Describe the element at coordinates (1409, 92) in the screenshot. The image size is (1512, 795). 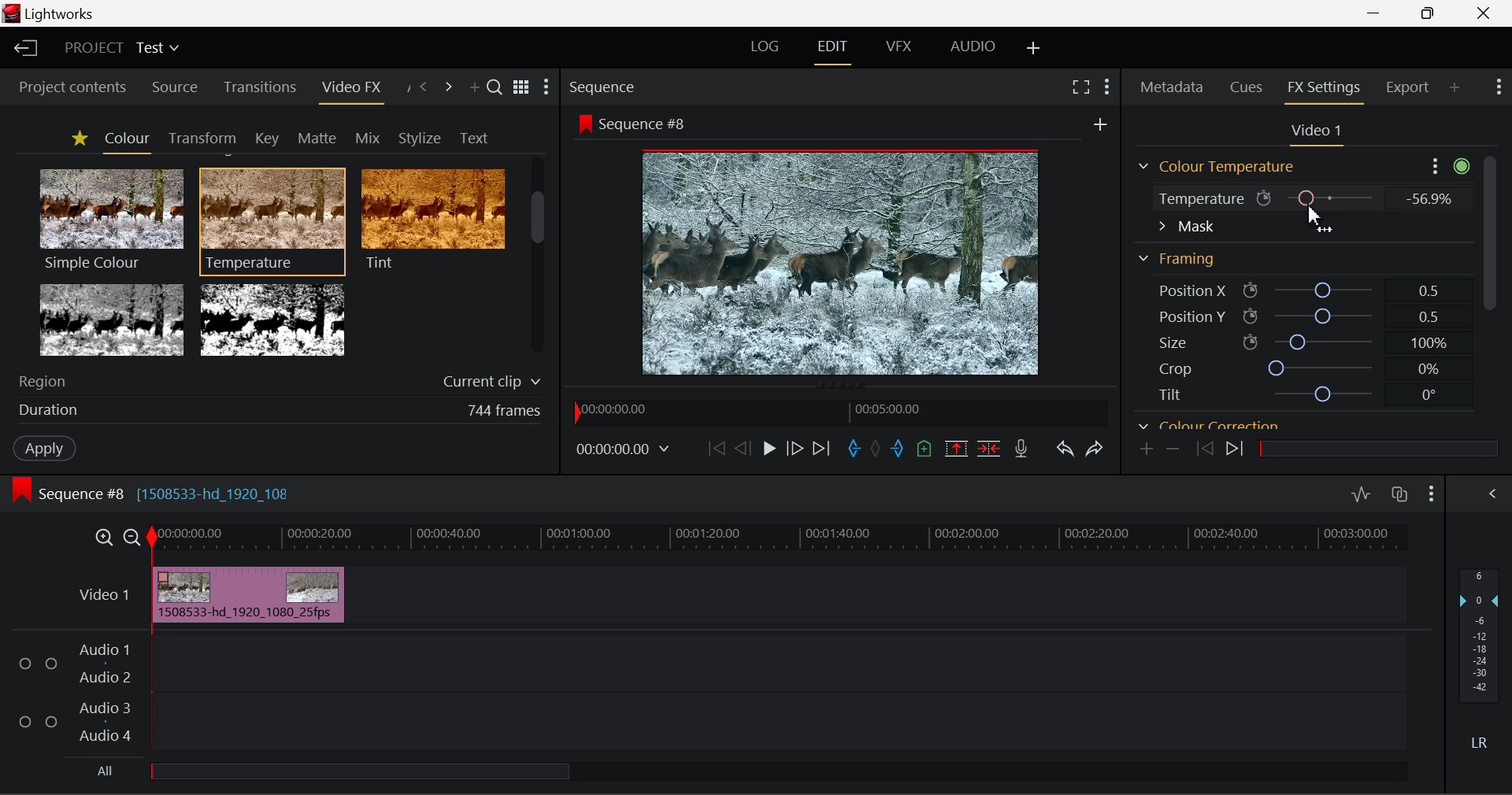
I see `Export` at that location.